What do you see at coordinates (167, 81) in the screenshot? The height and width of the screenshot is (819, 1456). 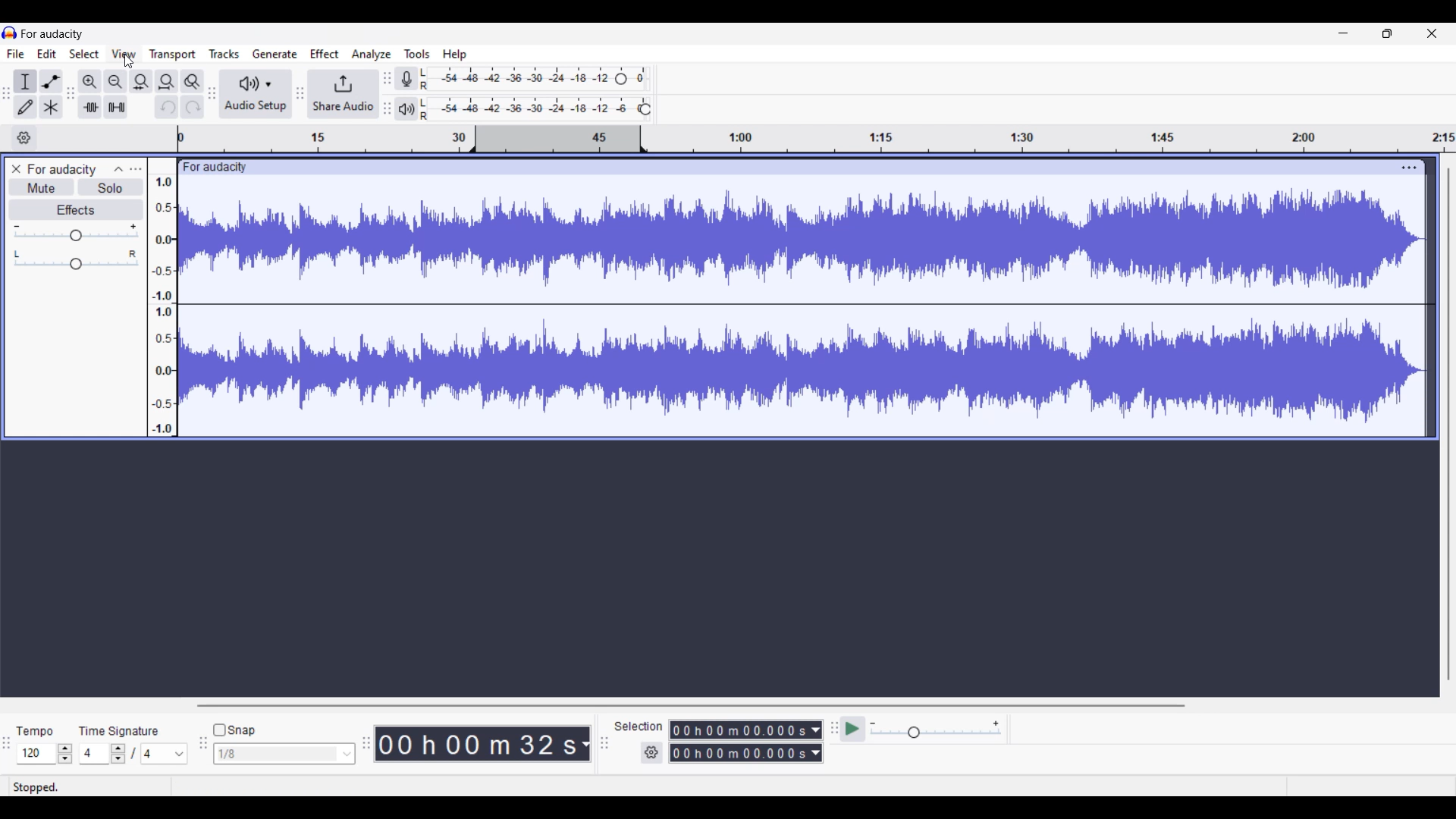 I see `Fit project to width` at bounding box center [167, 81].